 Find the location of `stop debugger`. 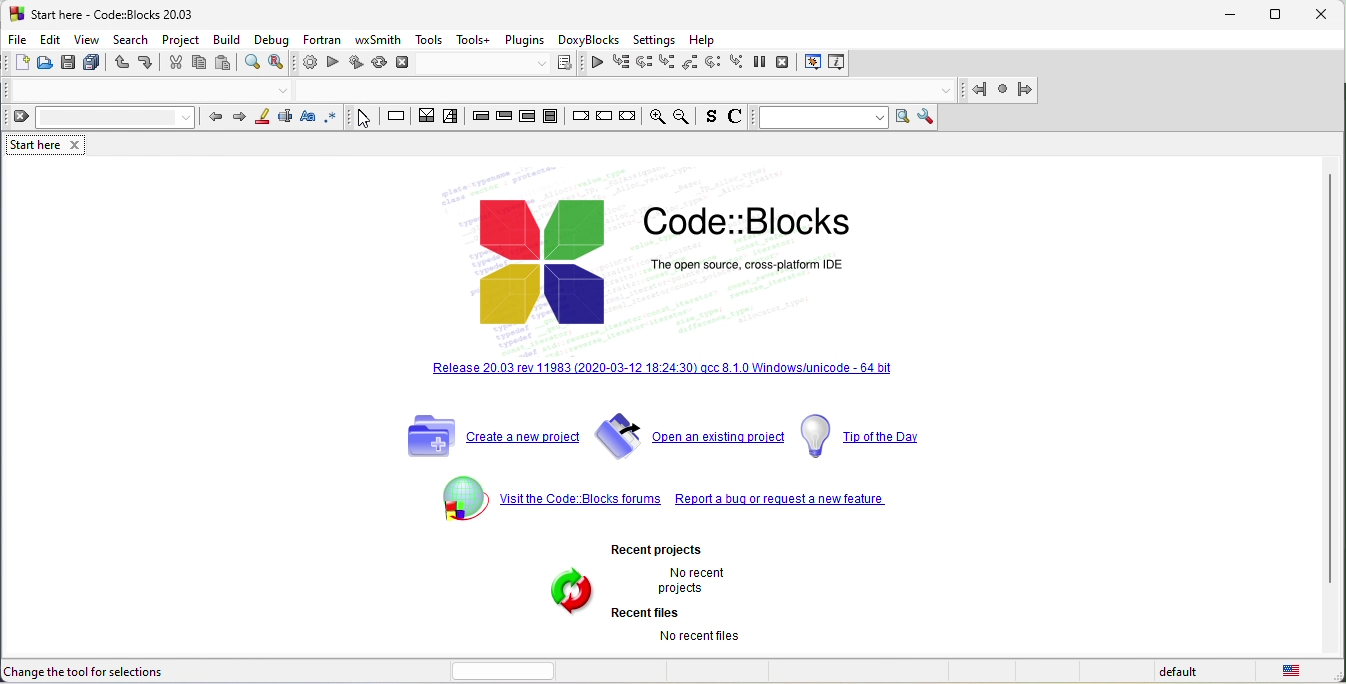

stop debugger is located at coordinates (787, 64).